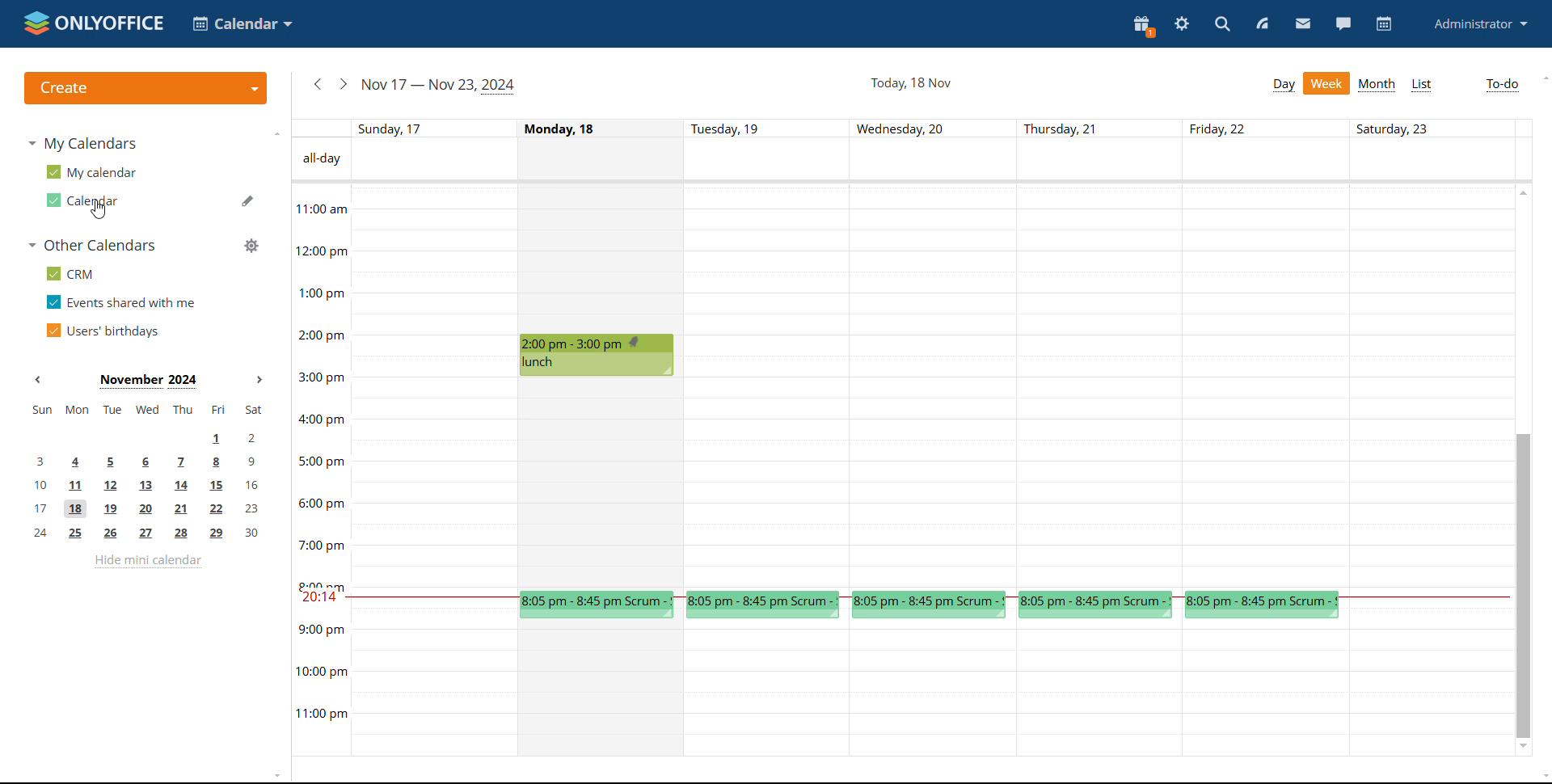 The height and width of the screenshot is (784, 1552). I want to click on Thursday, so click(1100, 386).